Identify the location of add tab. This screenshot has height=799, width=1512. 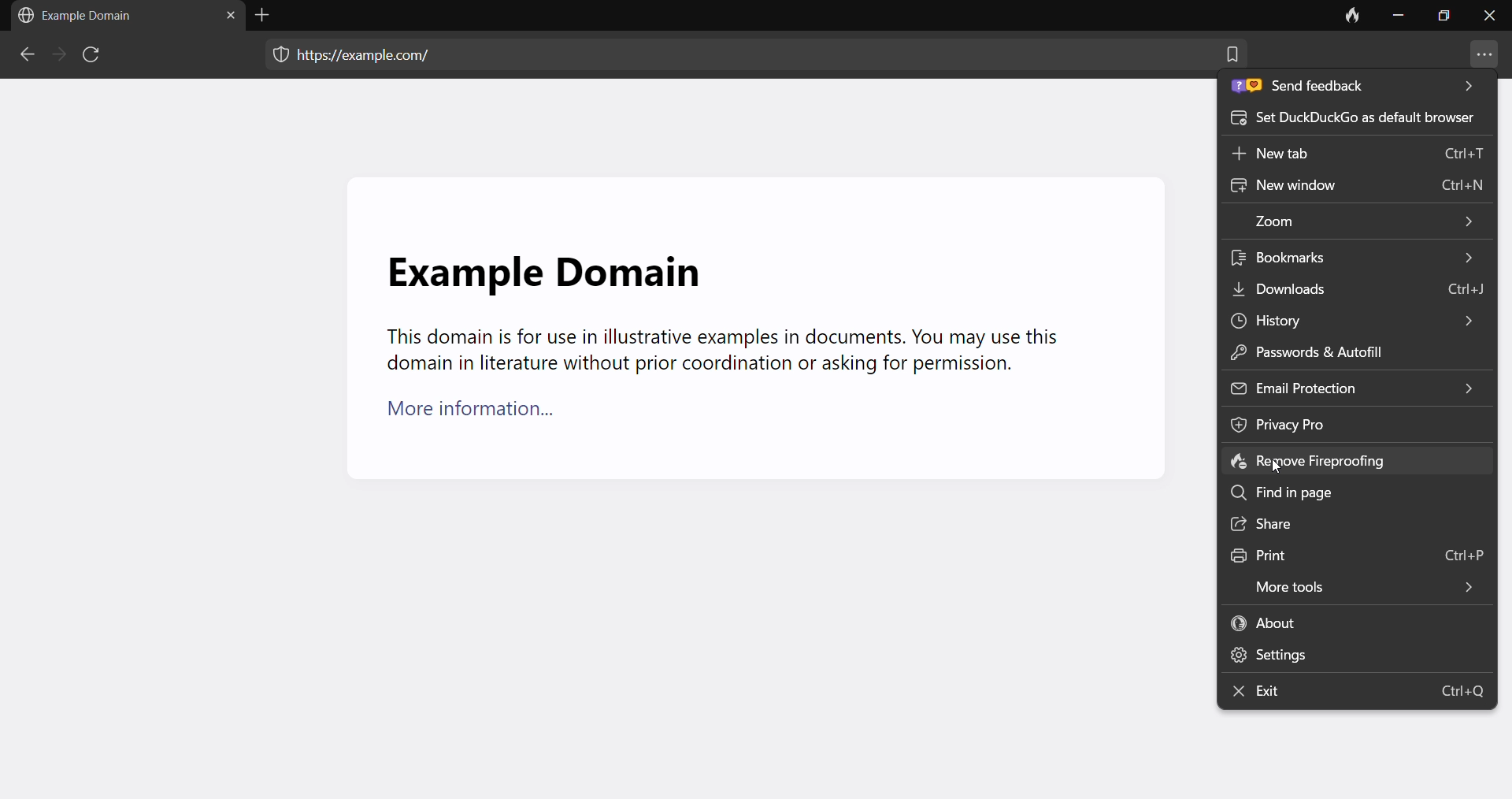
(266, 15).